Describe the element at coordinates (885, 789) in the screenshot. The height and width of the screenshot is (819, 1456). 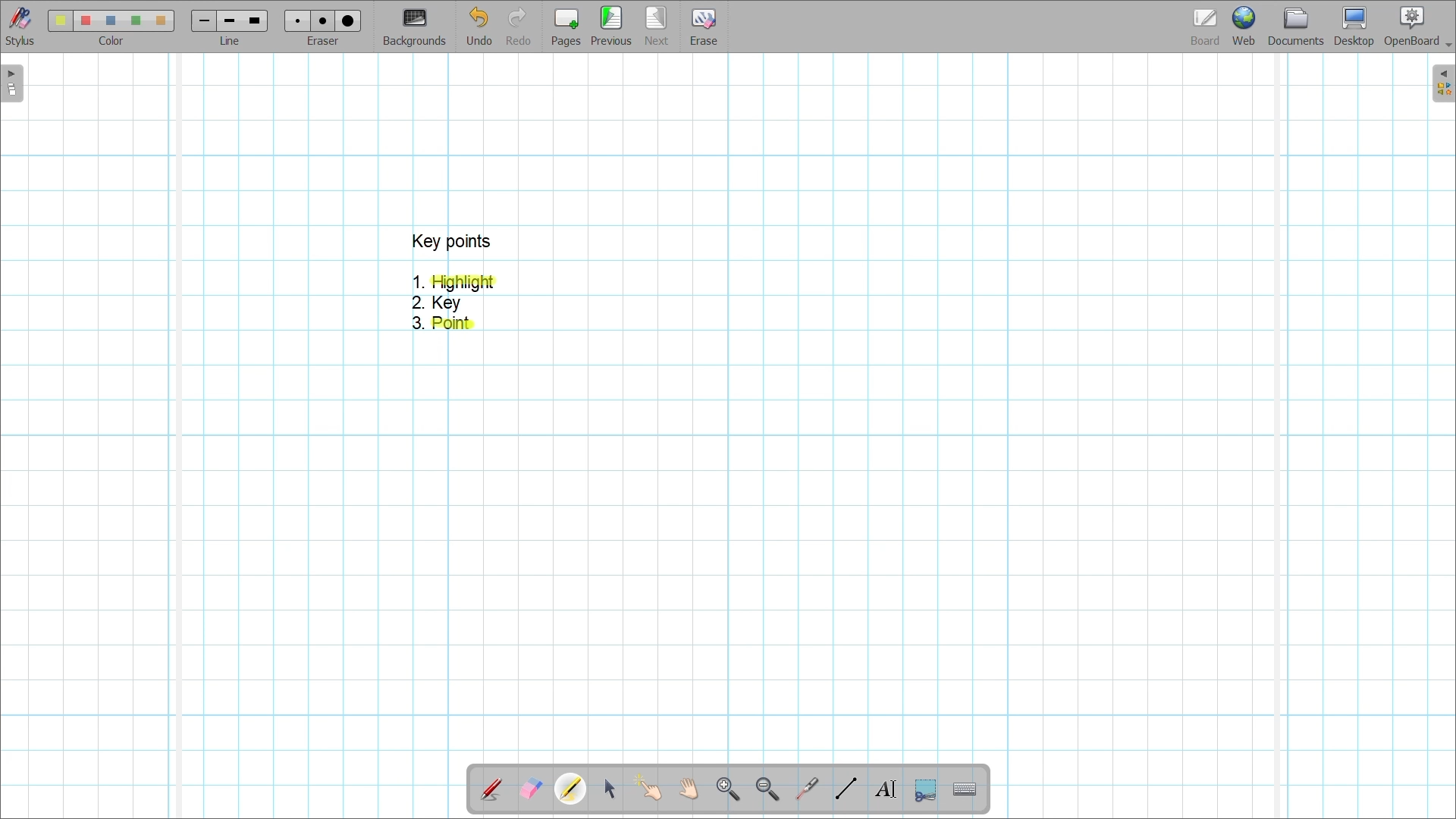
I see `Write text` at that location.